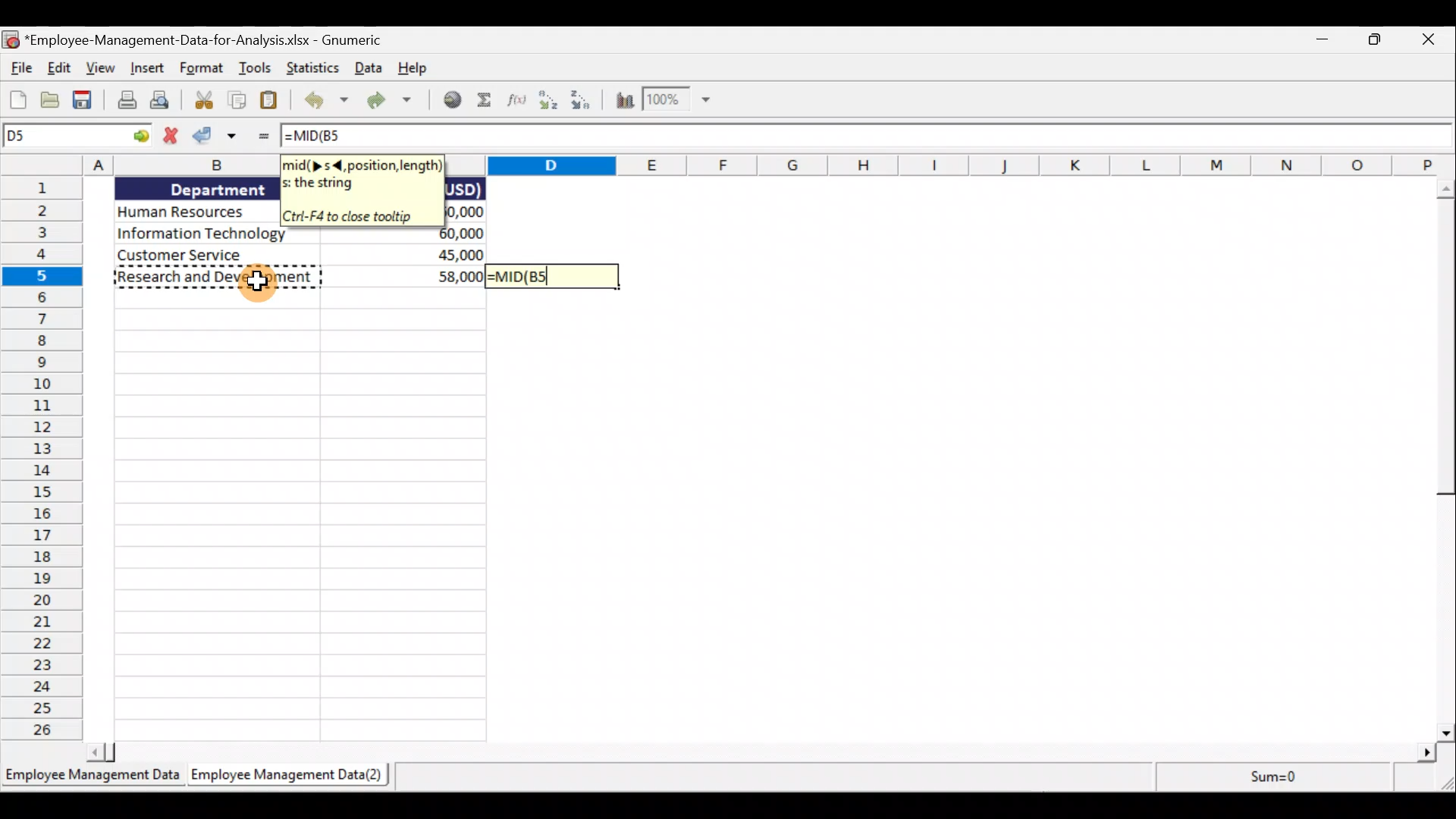 This screenshot has width=1456, height=819. Describe the element at coordinates (257, 69) in the screenshot. I see `Tools` at that location.